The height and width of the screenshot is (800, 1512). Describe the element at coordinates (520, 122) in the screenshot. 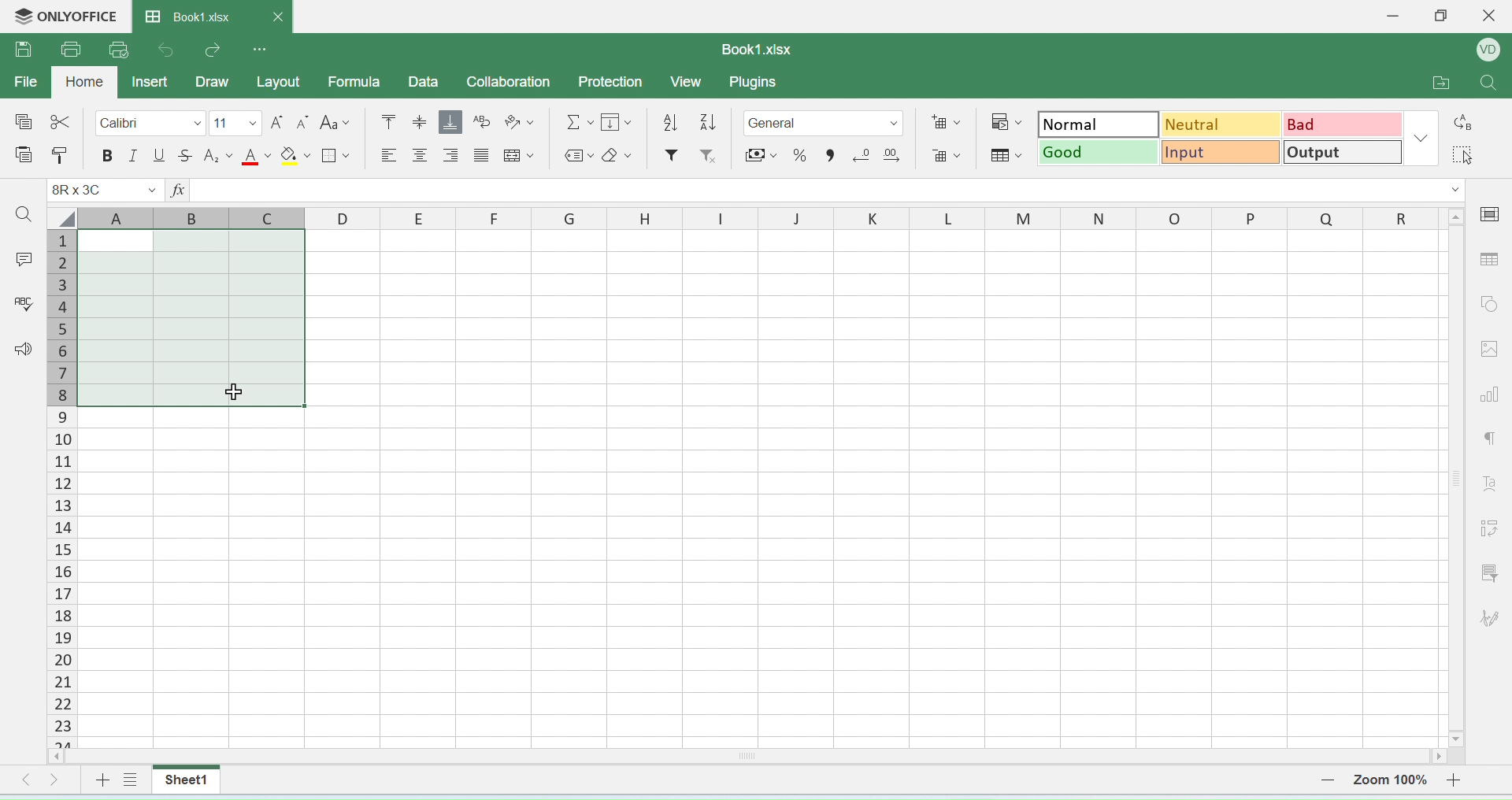

I see `orientation` at that location.